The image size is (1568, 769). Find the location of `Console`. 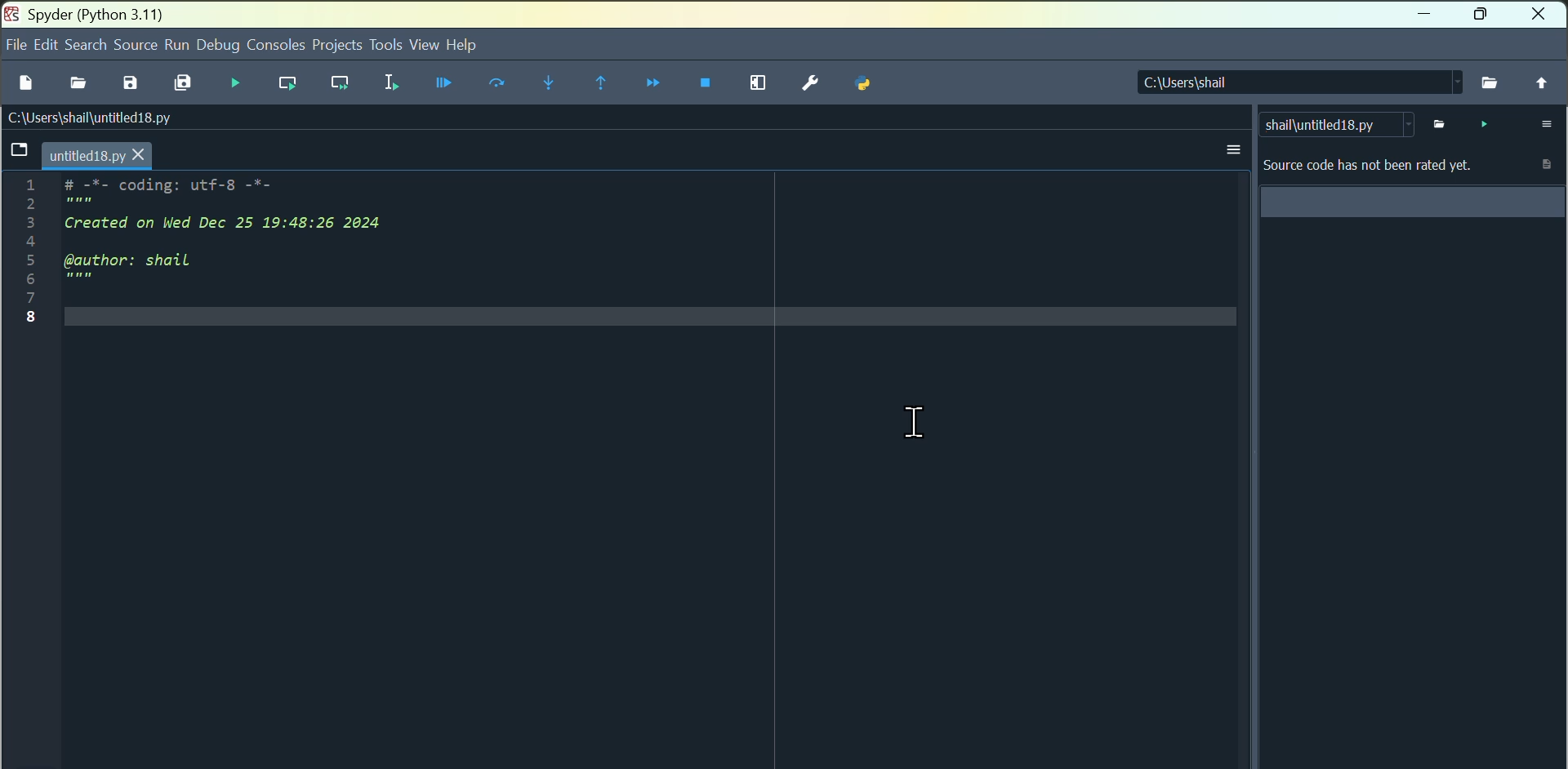

Console is located at coordinates (277, 44).